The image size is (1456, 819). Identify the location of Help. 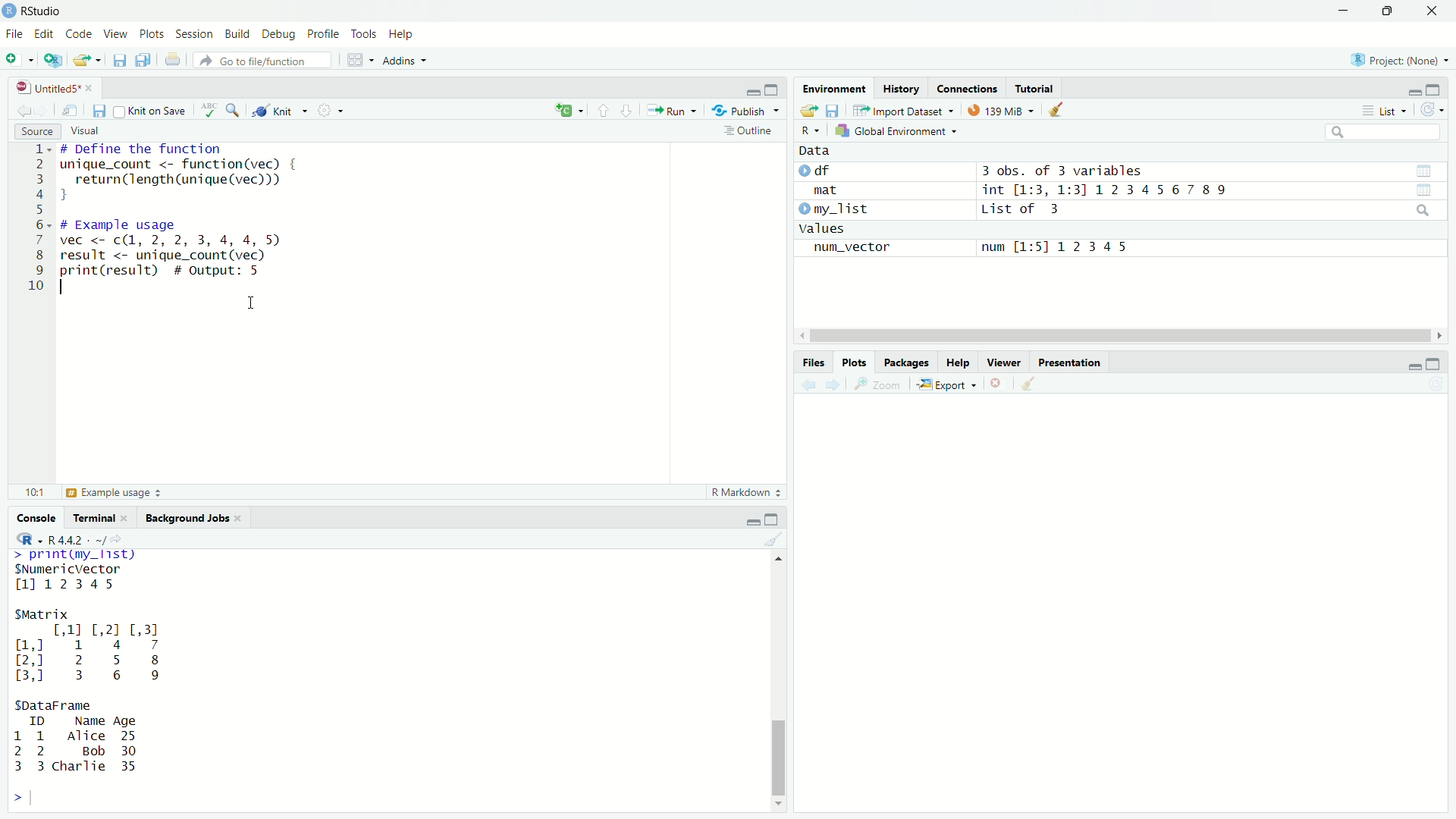
(404, 35).